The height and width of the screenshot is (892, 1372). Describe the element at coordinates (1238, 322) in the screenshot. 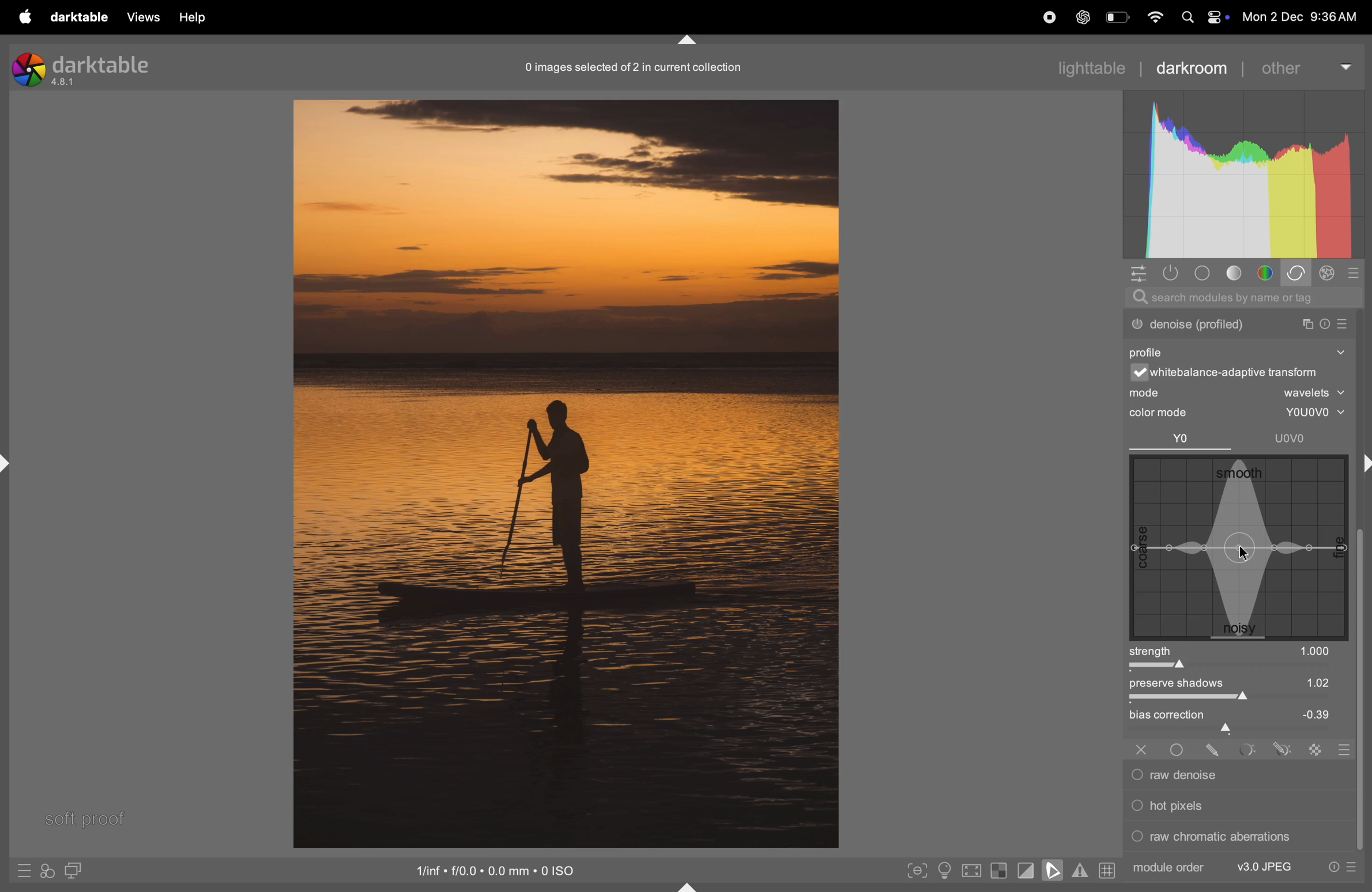

I see `dither or posterize` at that location.